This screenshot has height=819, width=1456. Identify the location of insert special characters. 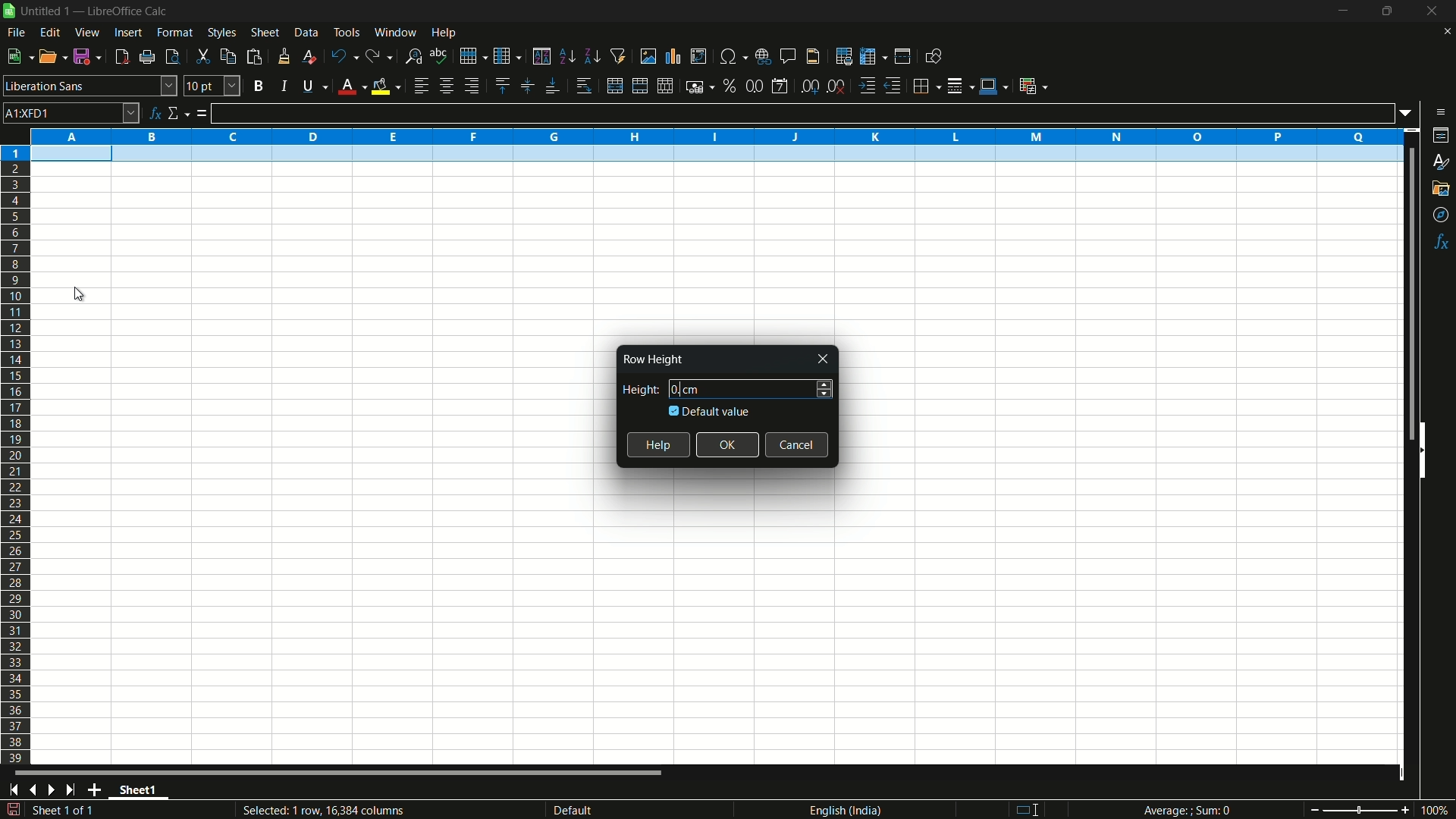
(733, 55).